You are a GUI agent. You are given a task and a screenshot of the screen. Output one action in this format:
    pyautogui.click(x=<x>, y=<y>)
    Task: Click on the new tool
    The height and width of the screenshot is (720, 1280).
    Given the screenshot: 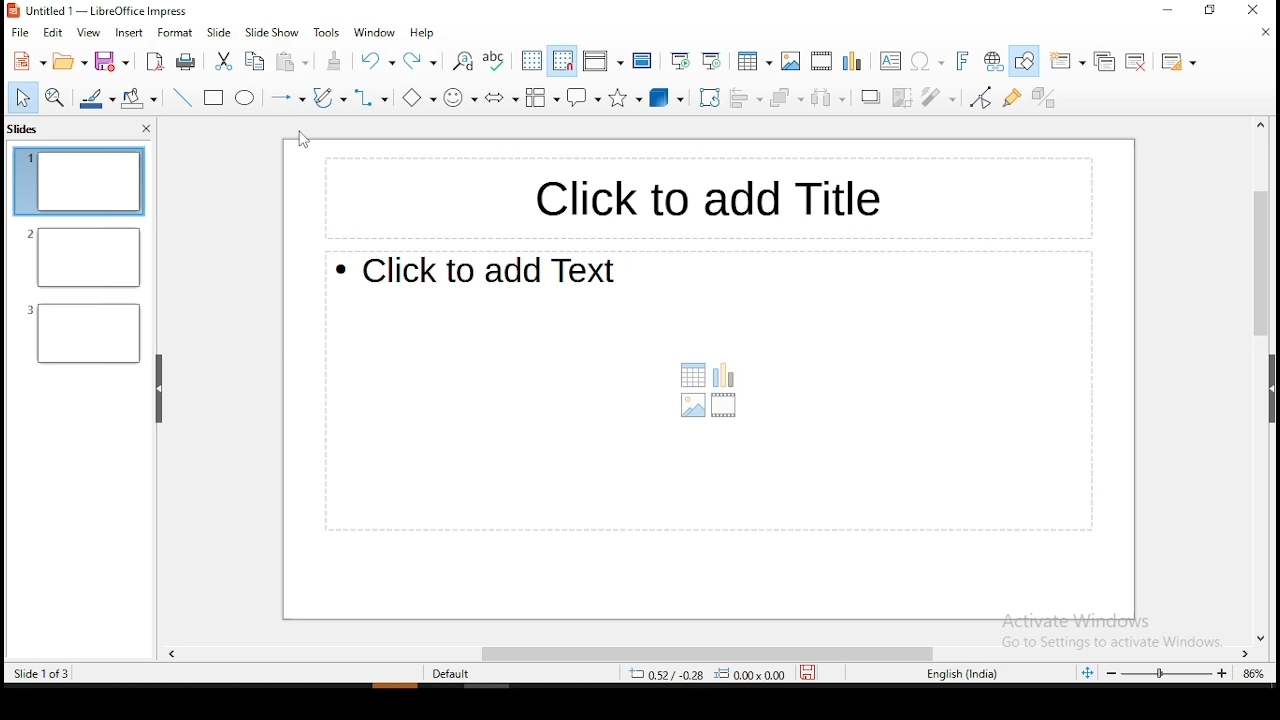 What is the action you would take?
    pyautogui.click(x=29, y=63)
    